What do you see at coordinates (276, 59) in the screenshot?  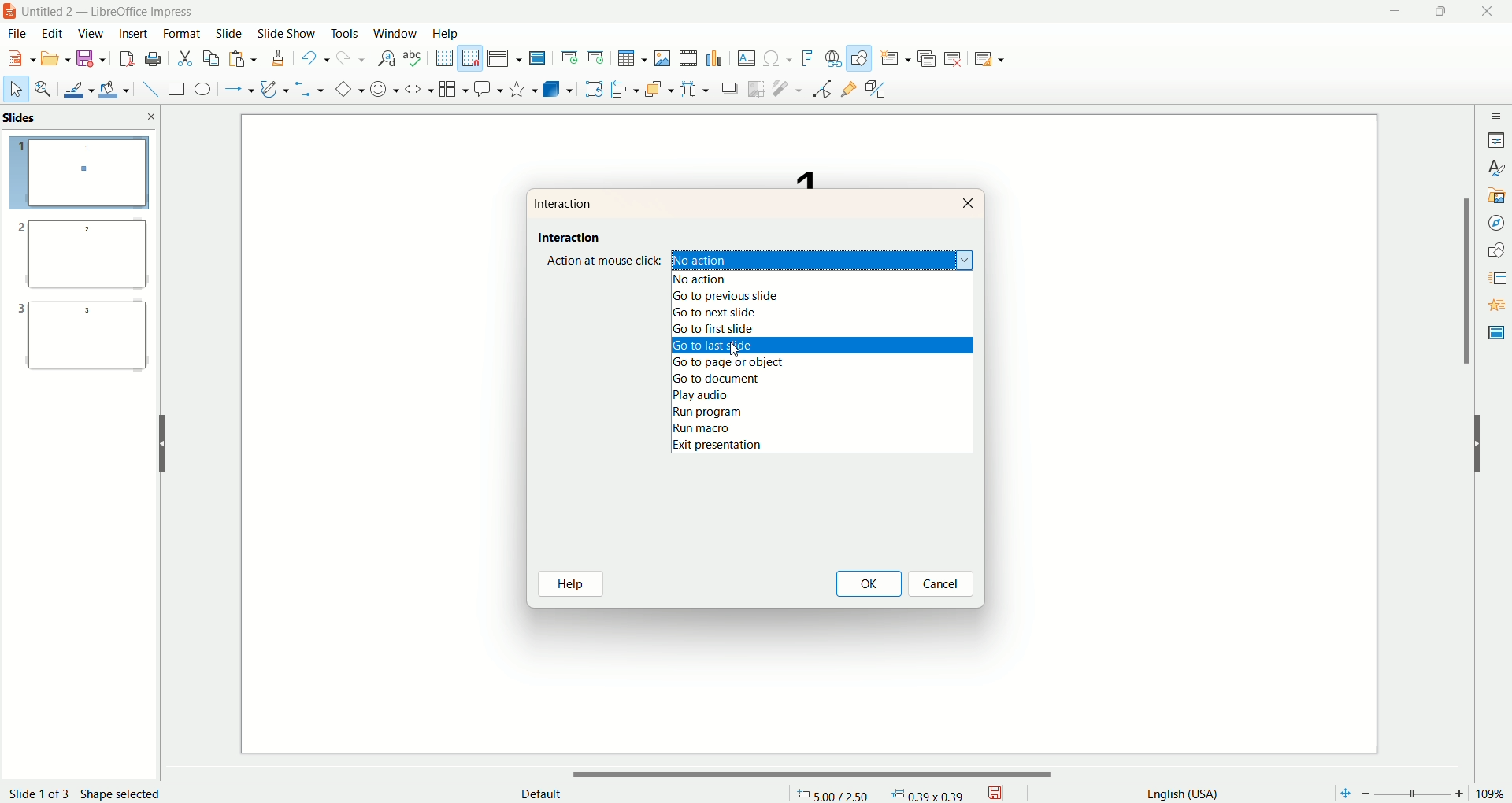 I see `clone formatting` at bounding box center [276, 59].